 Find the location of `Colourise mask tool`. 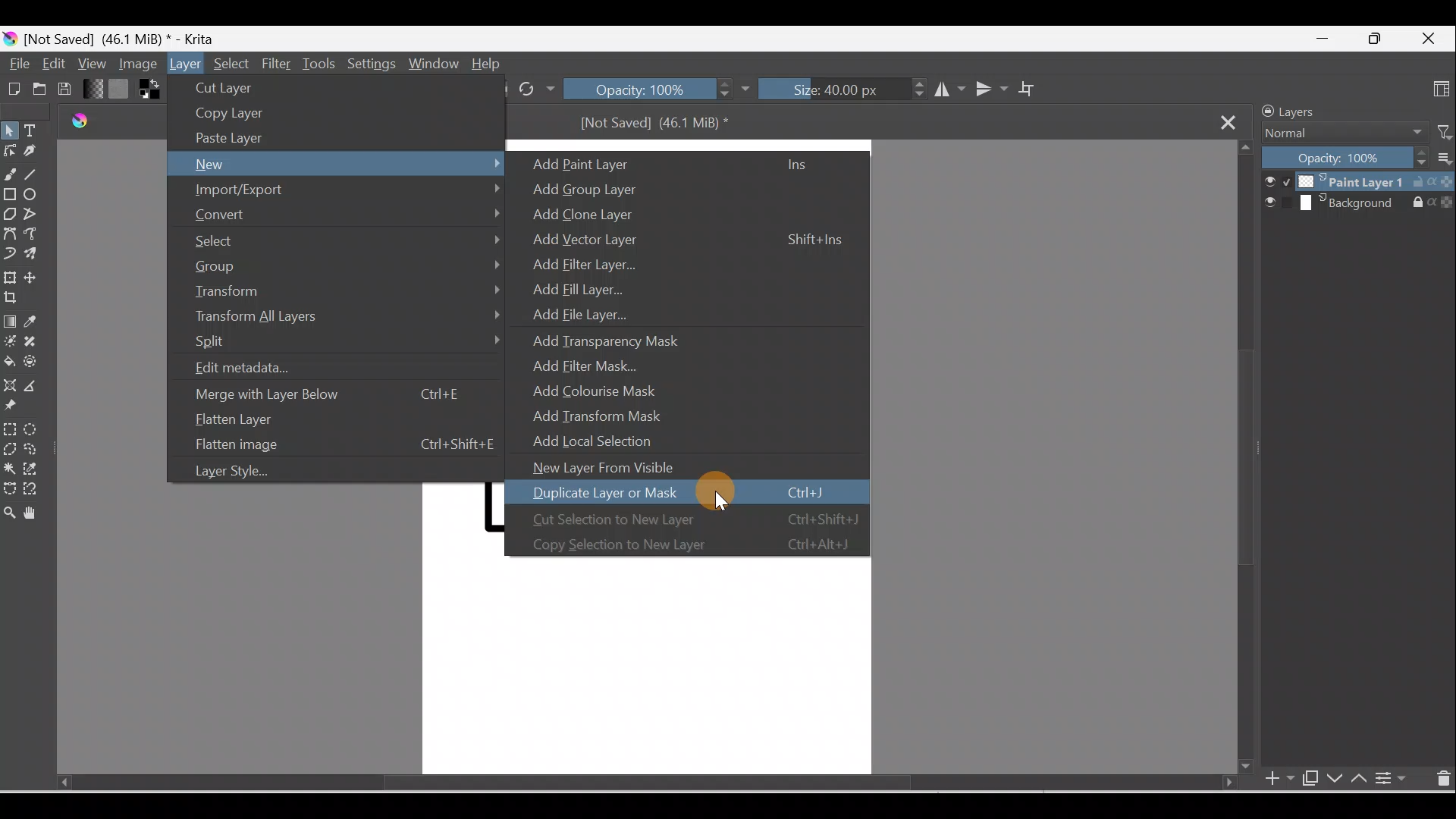

Colourise mask tool is located at coordinates (11, 341).